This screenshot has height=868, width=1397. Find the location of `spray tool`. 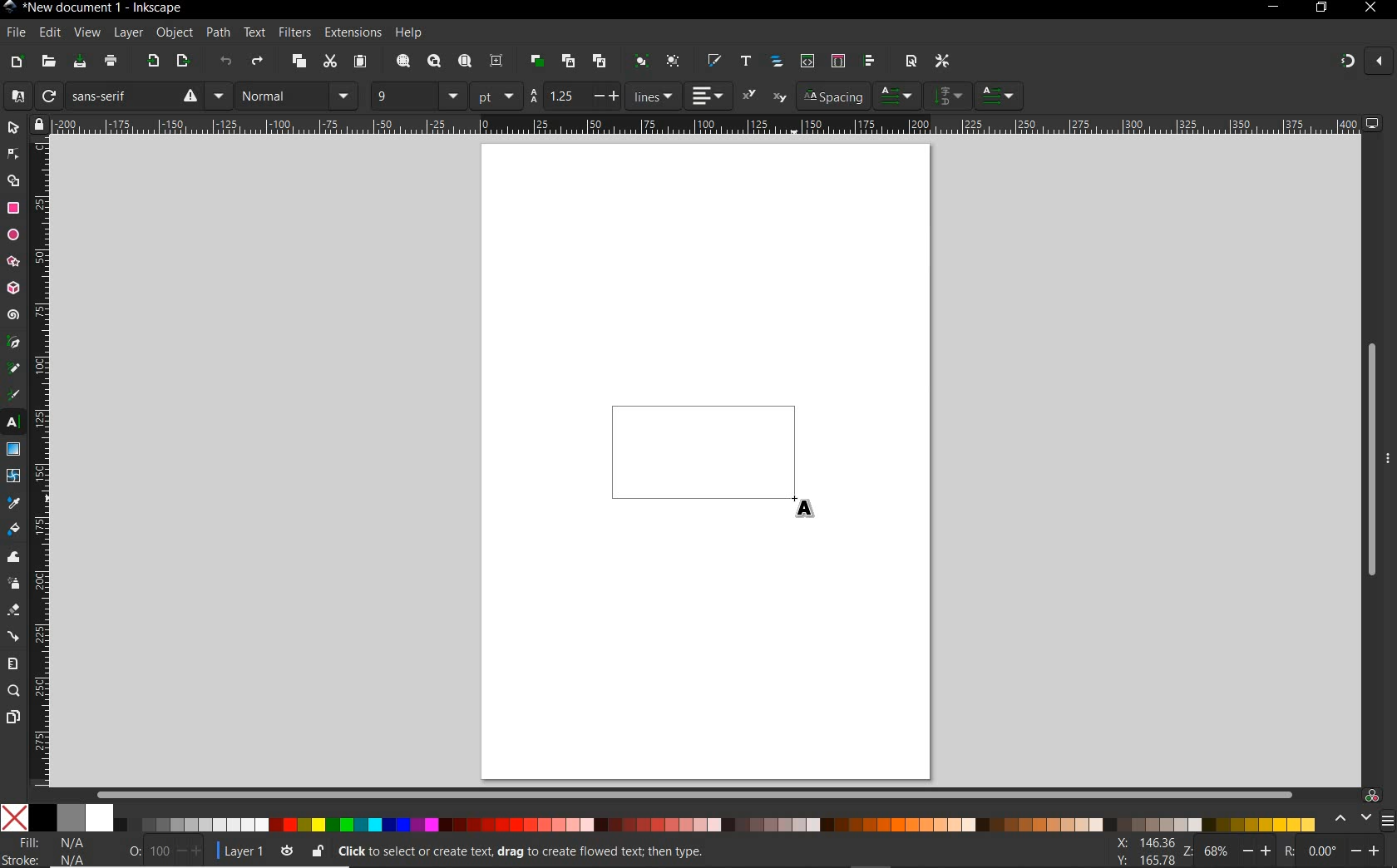

spray tool is located at coordinates (13, 584).